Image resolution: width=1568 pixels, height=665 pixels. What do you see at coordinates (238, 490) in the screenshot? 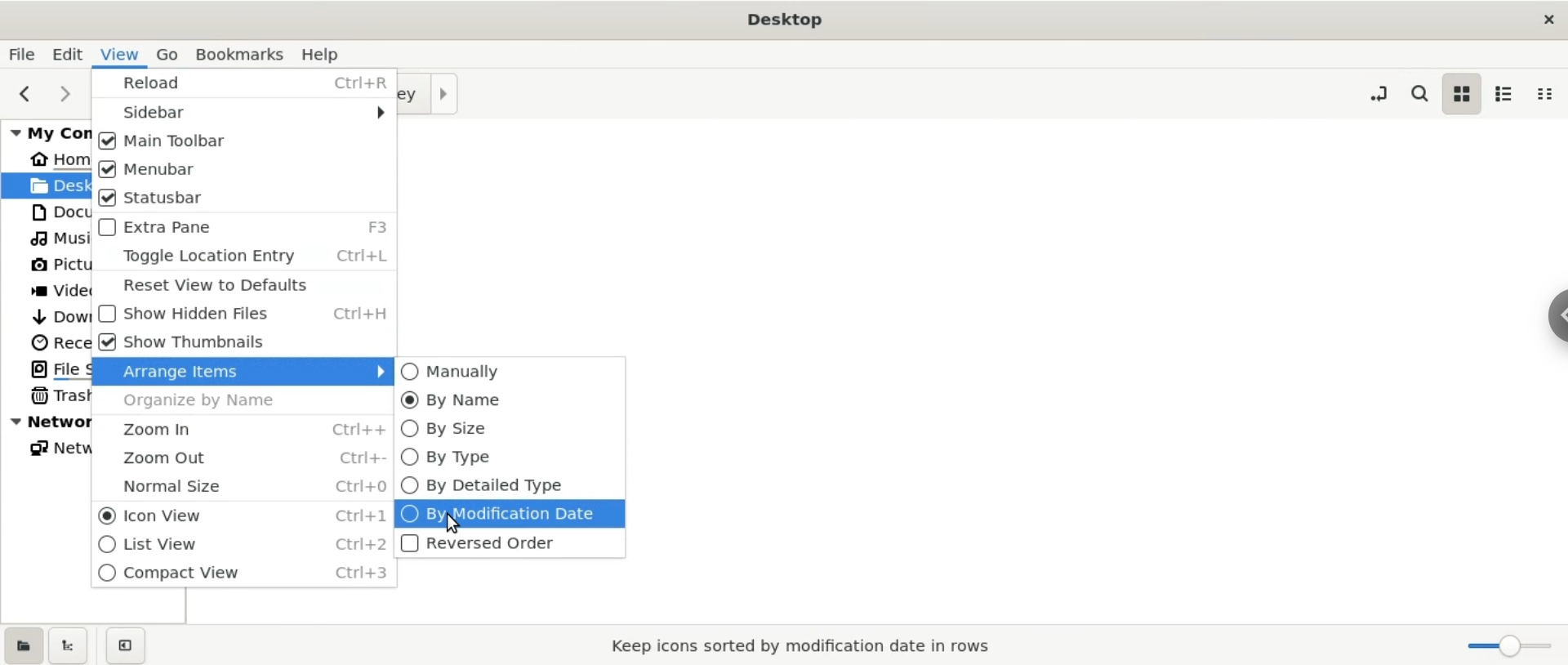
I see `normal size` at bounding box center [238, 490].